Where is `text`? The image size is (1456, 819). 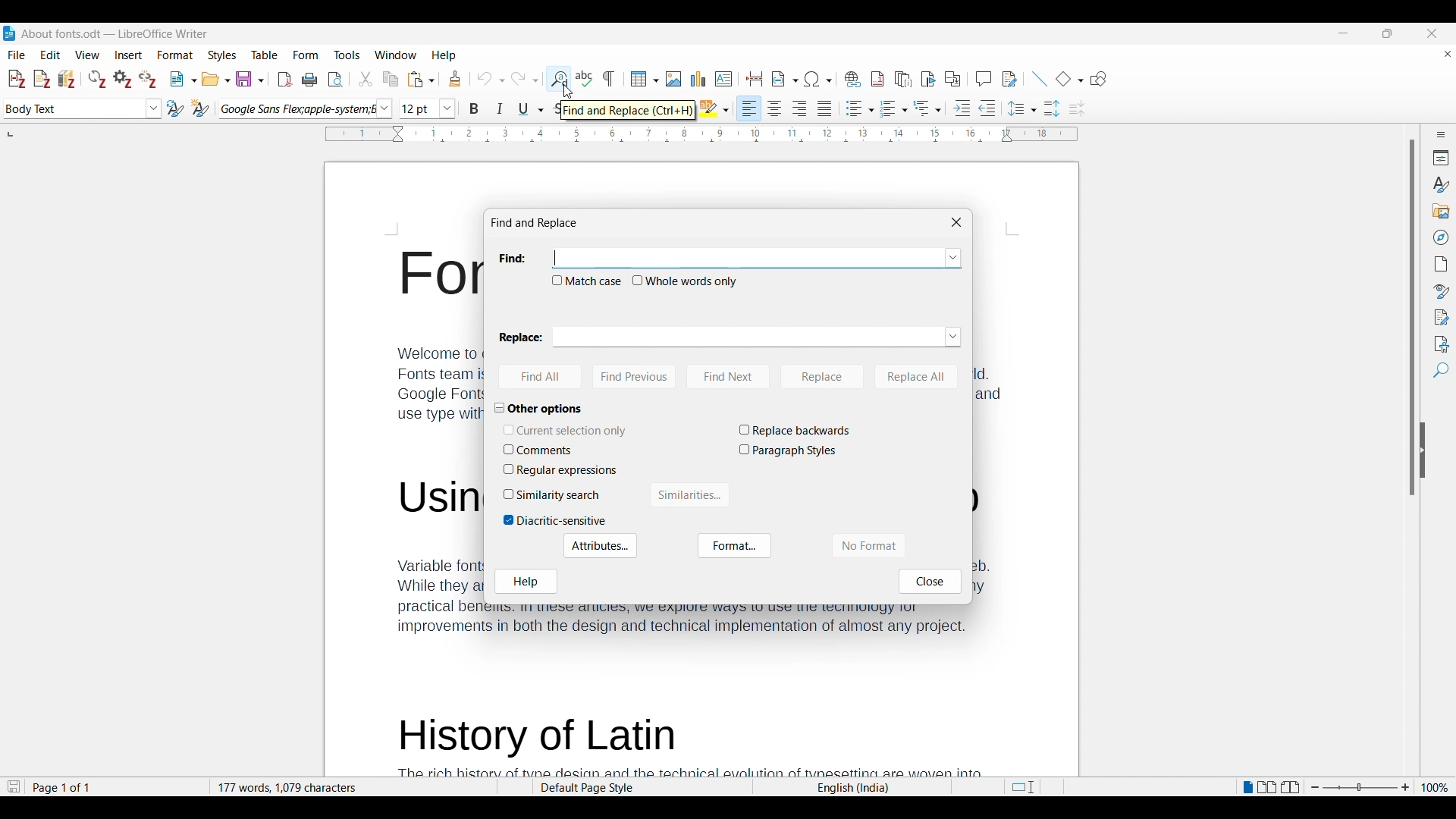 text is located at coordinates (688, 742).